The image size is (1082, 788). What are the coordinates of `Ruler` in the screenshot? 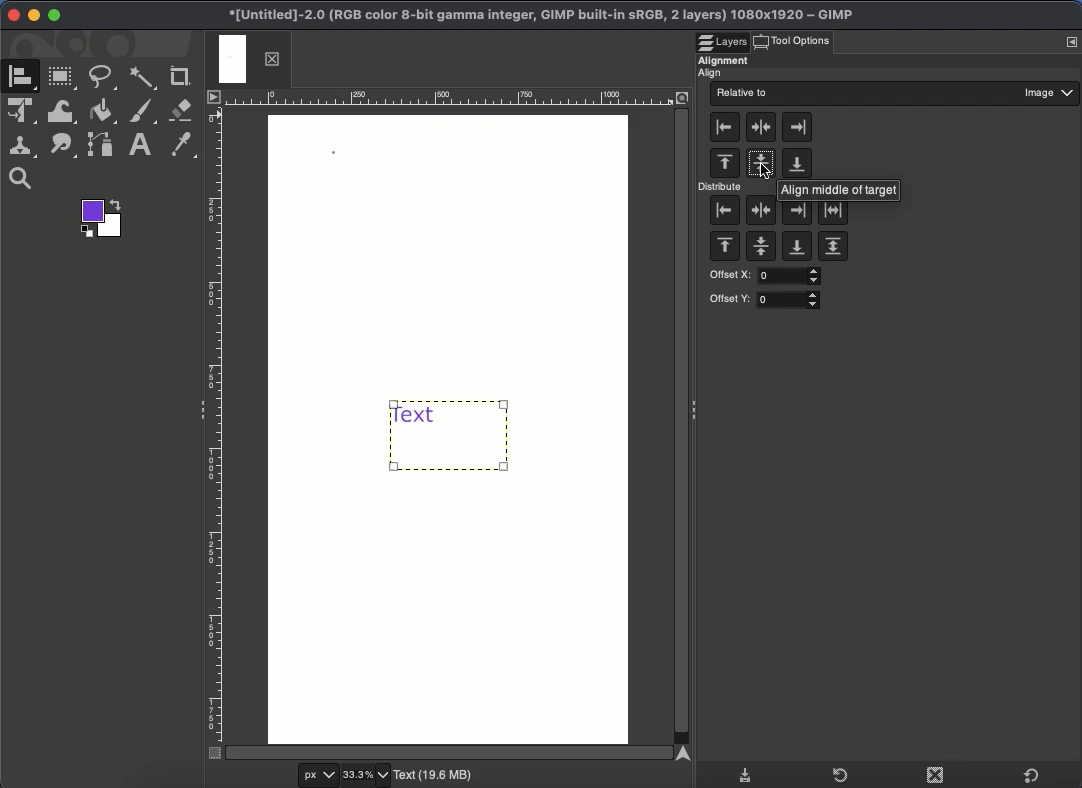 It's located at (466, 98).